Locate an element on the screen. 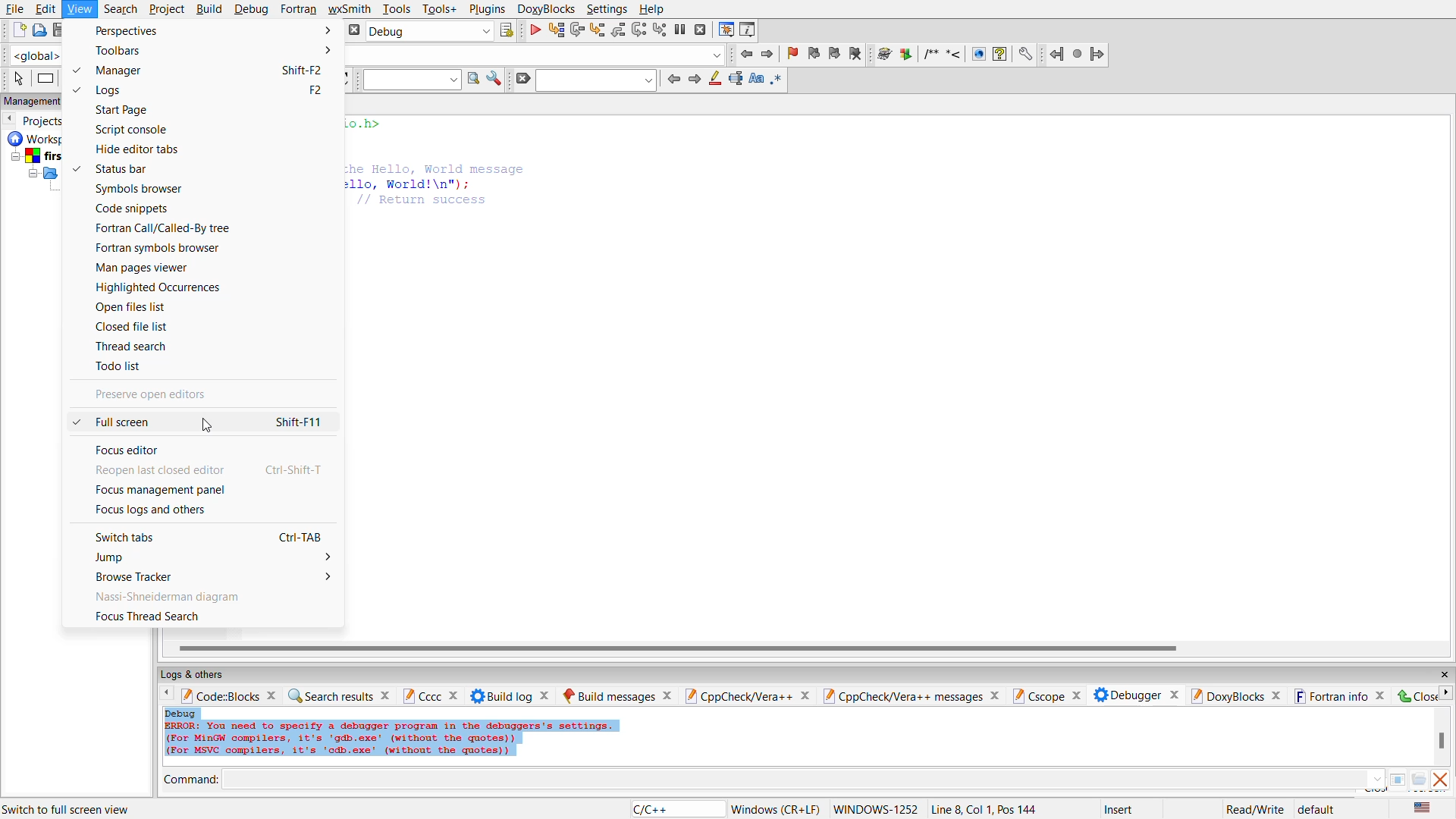  previous is located at coordinates (675, 78).